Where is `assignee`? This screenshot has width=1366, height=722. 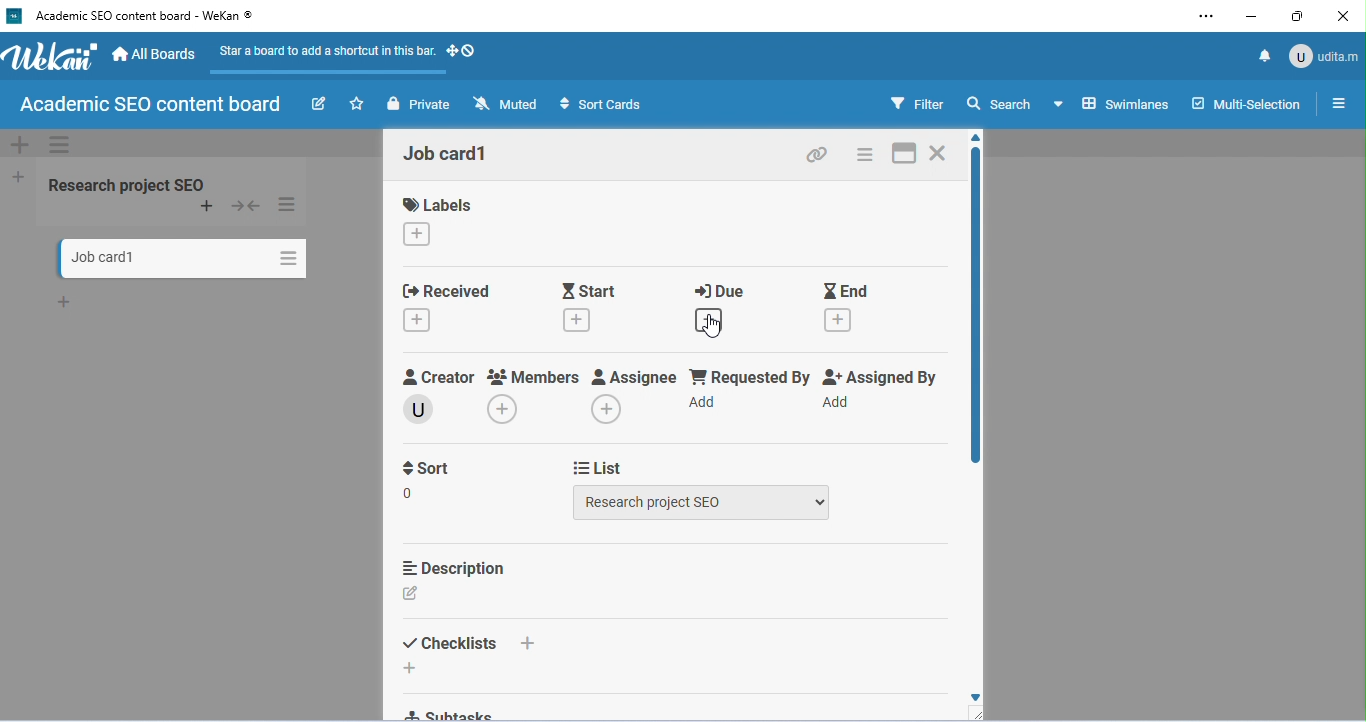
assignee is located at coordinates (635, 376).